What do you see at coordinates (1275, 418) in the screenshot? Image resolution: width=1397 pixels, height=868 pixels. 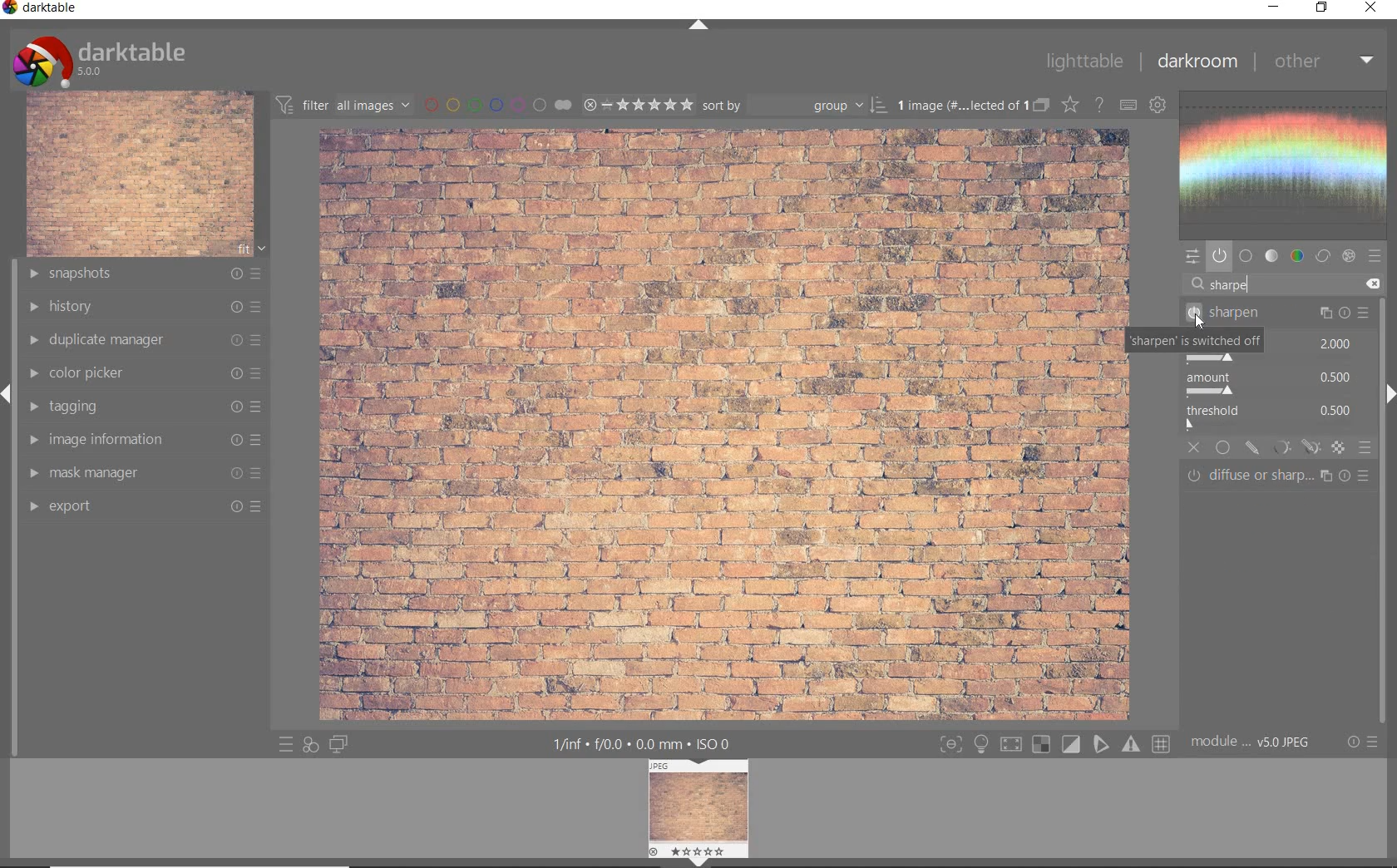 I see `THRESHOLD 0.500` at bounding box center [1275, 418].